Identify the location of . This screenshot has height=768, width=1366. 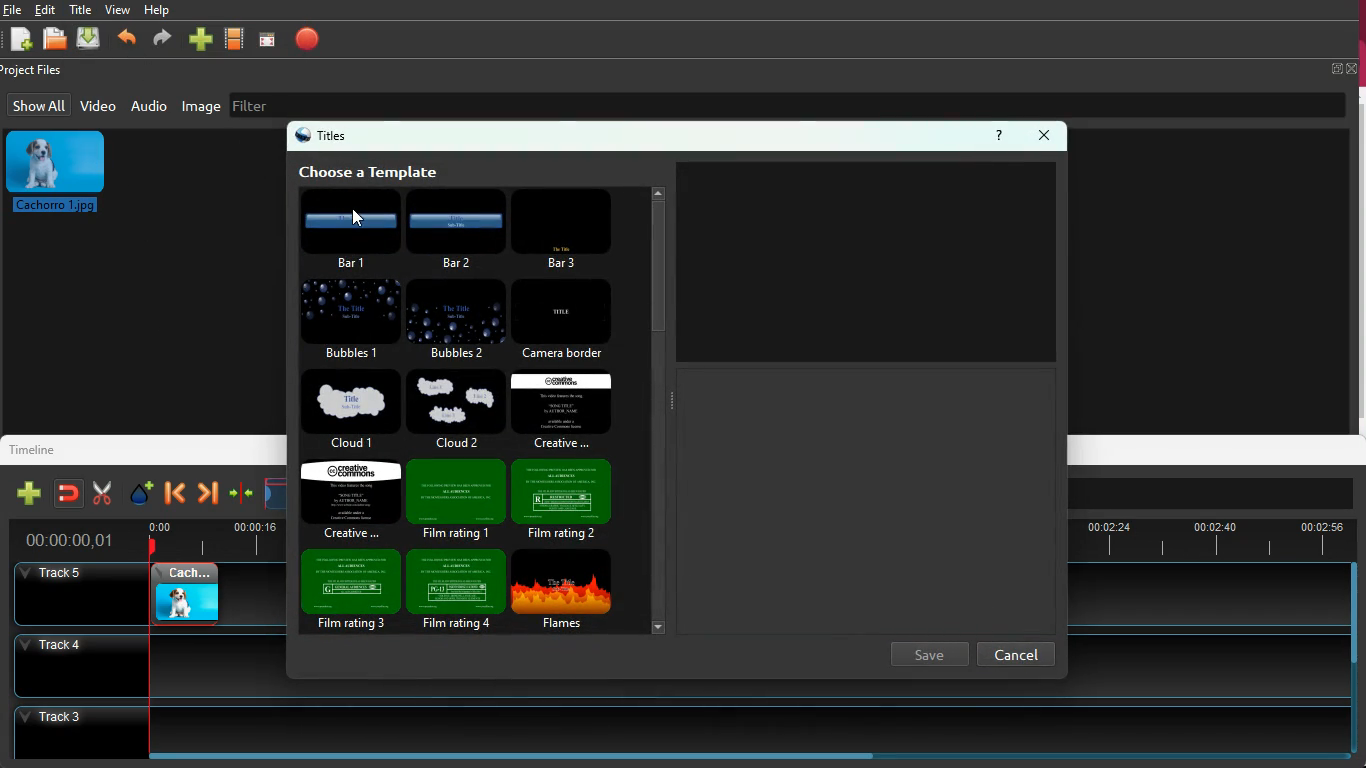
(83, 667).